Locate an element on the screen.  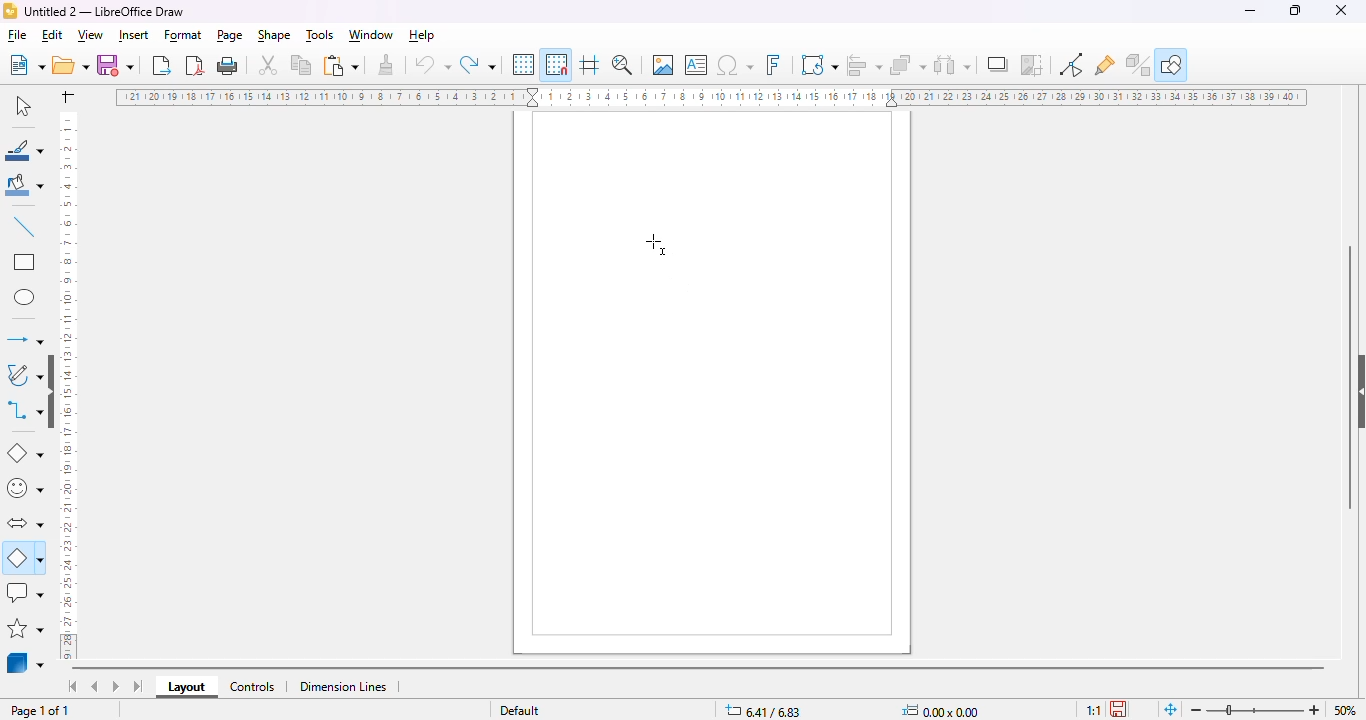
new is located at coordinates (26, 66).